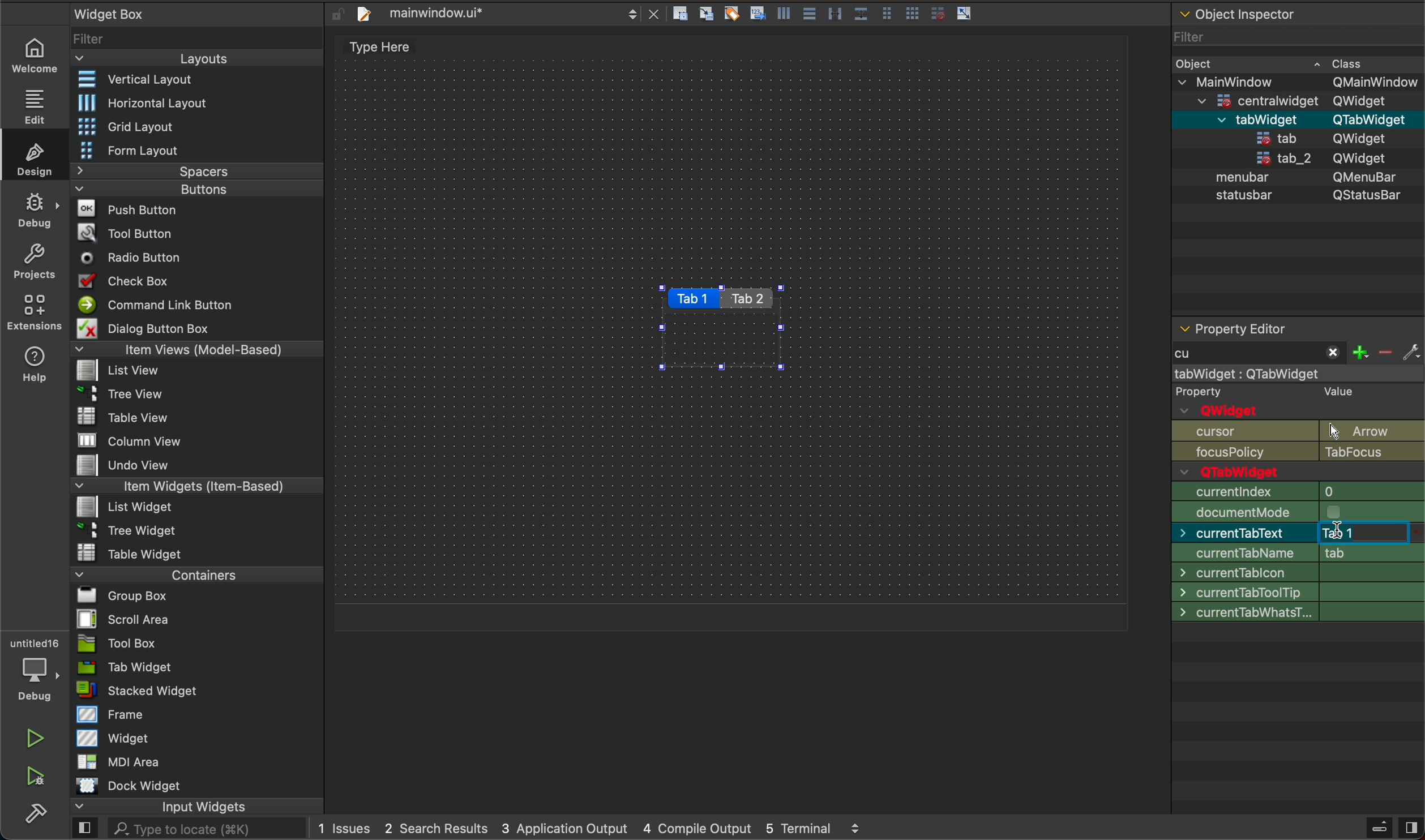  What do you see at coordinates (196, 188) in the screenshot?
I see `Buttons` at bounding box center [196, 188].